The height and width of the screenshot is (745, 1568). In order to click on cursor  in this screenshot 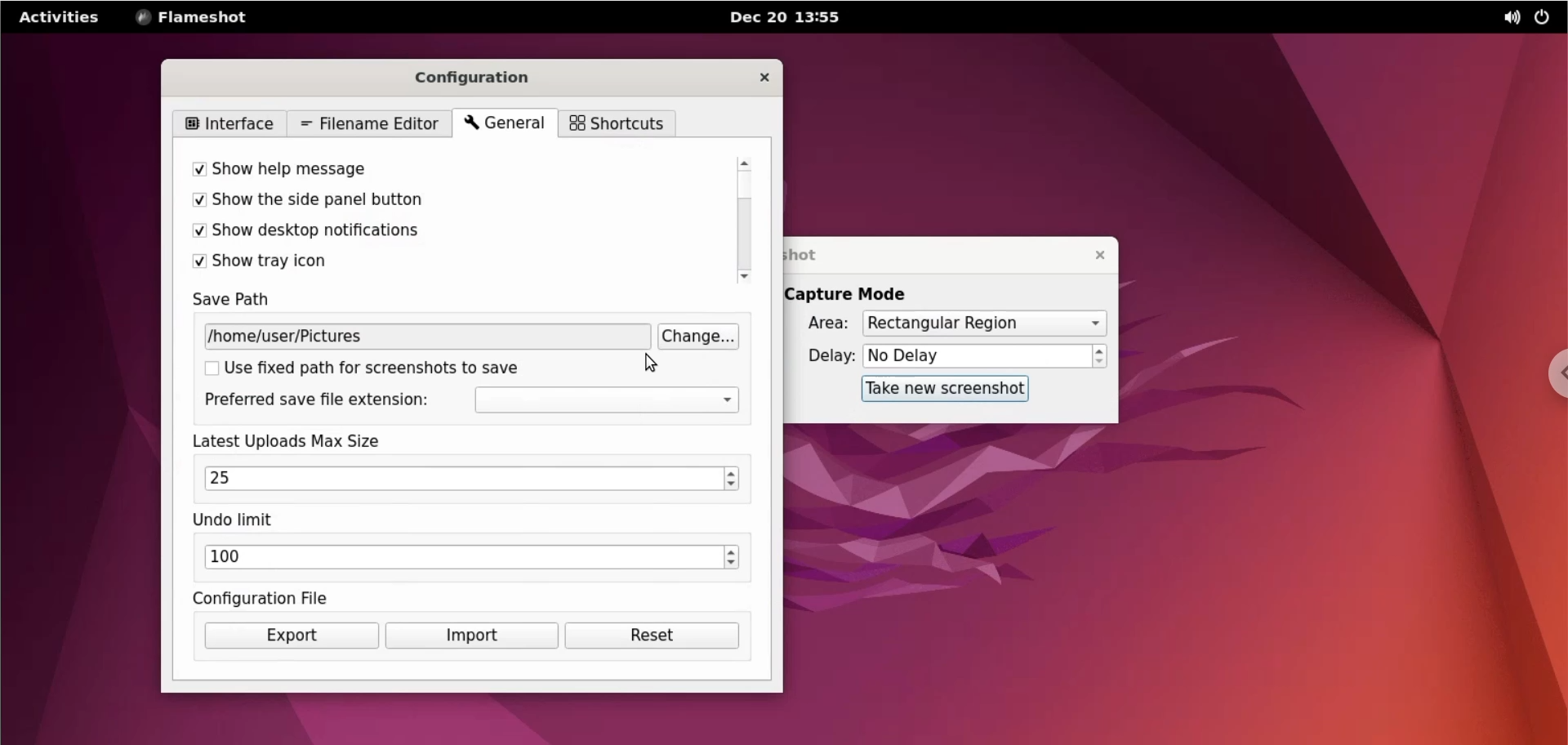, I will do `click(651, 359)`.